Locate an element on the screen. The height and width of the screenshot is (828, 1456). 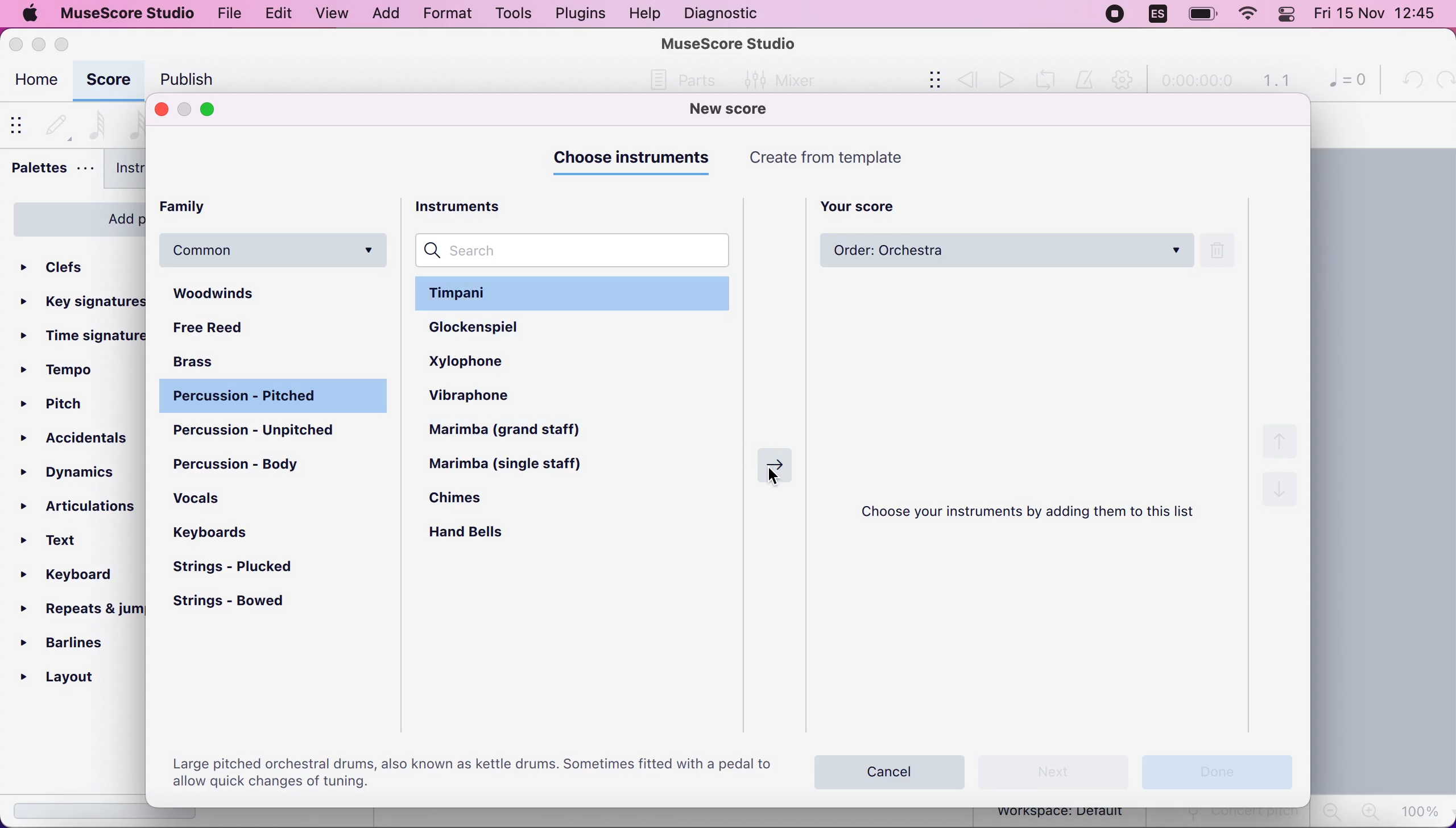
done is located at coordinates (1215, 769).